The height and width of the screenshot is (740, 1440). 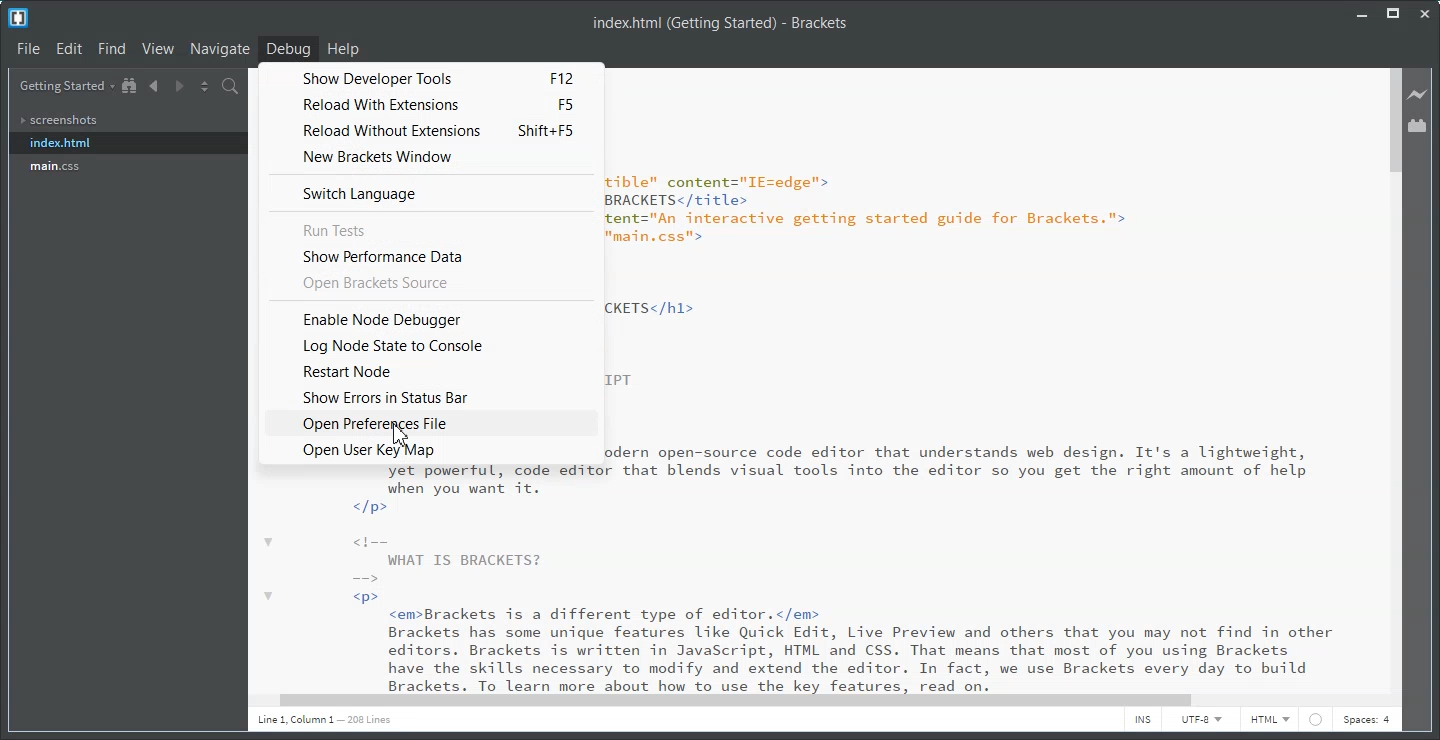 What do you see at coordinates (220, 48) in the screenshot?
I see `Navigate` at bounding box center [220, 48].